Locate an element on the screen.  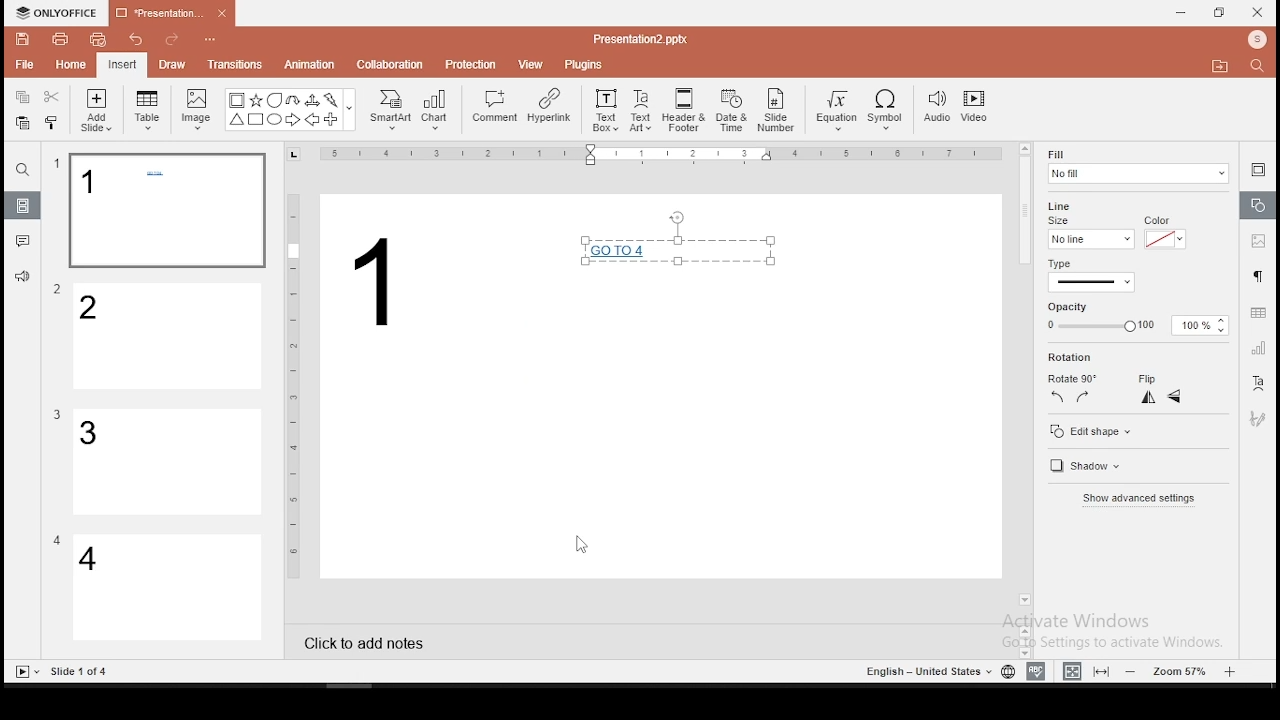
find is located at coordinates (22, 170).